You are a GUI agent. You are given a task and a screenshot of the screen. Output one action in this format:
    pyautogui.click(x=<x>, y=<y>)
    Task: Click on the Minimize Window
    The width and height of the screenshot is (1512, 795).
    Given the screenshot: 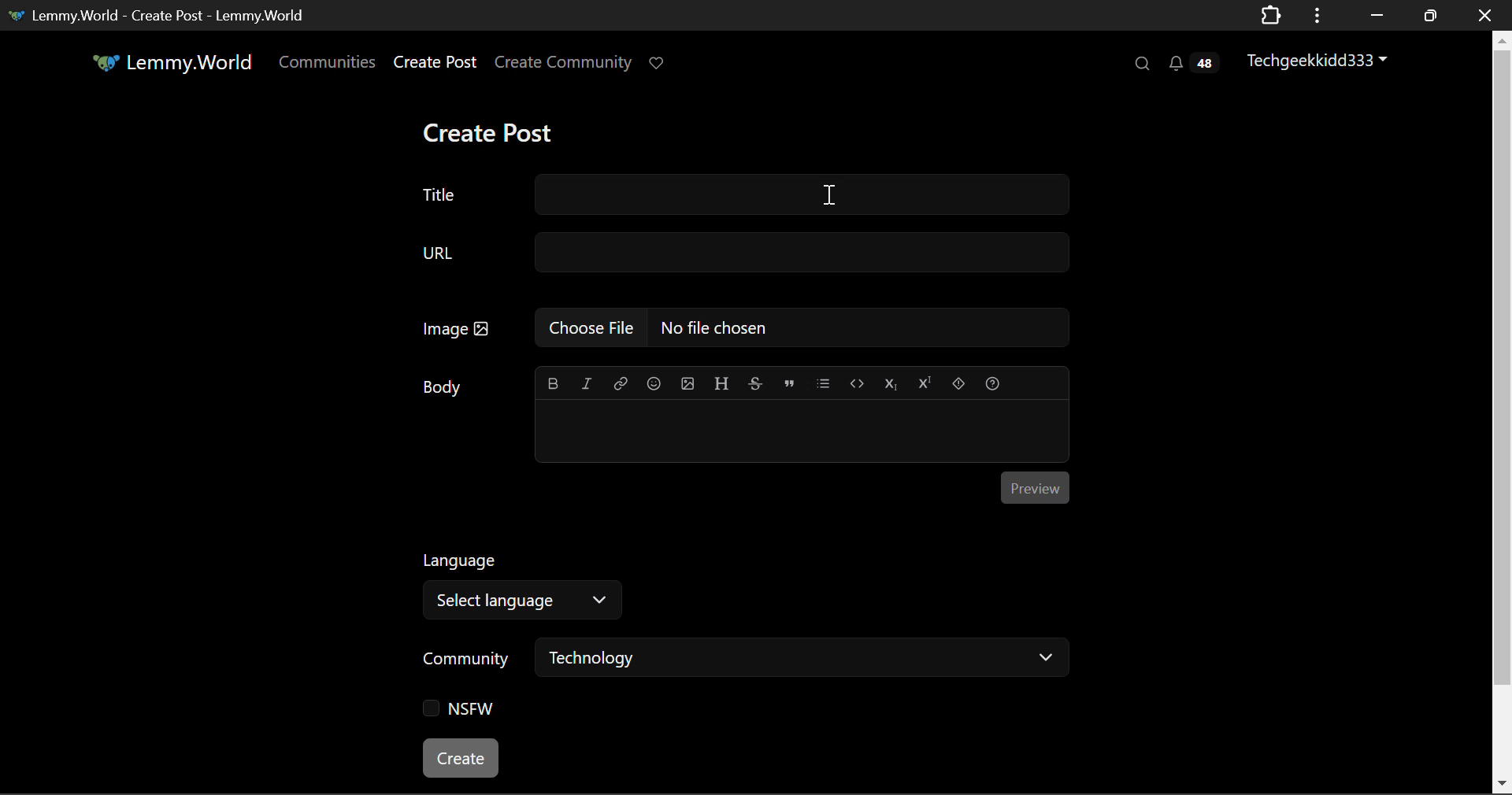 What is the action you would take?
    pyautogui.click(x=1432, y=15)
    